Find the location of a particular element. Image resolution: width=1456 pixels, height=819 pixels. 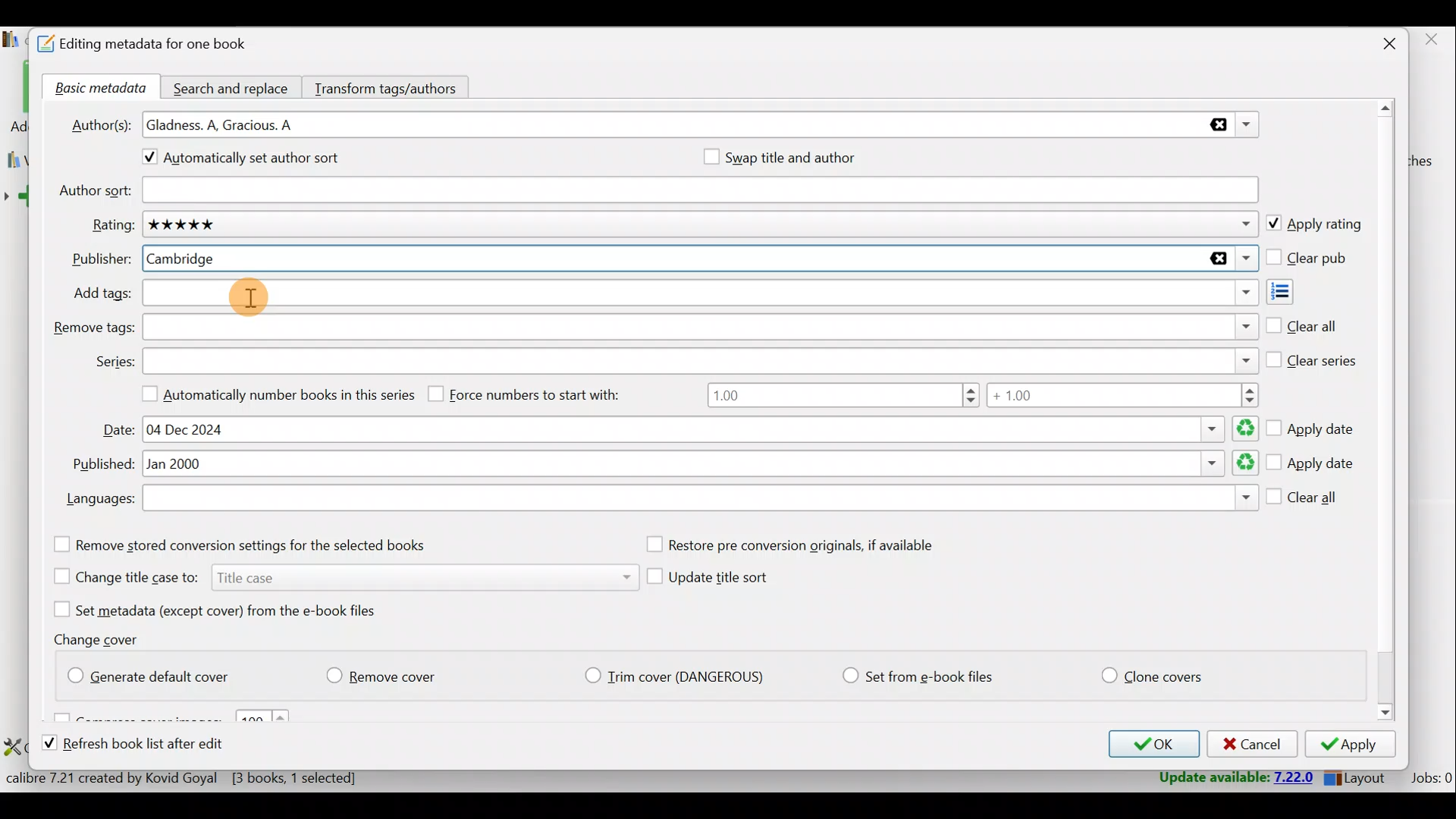

Swap title and author is located at coordinates (808, 157).